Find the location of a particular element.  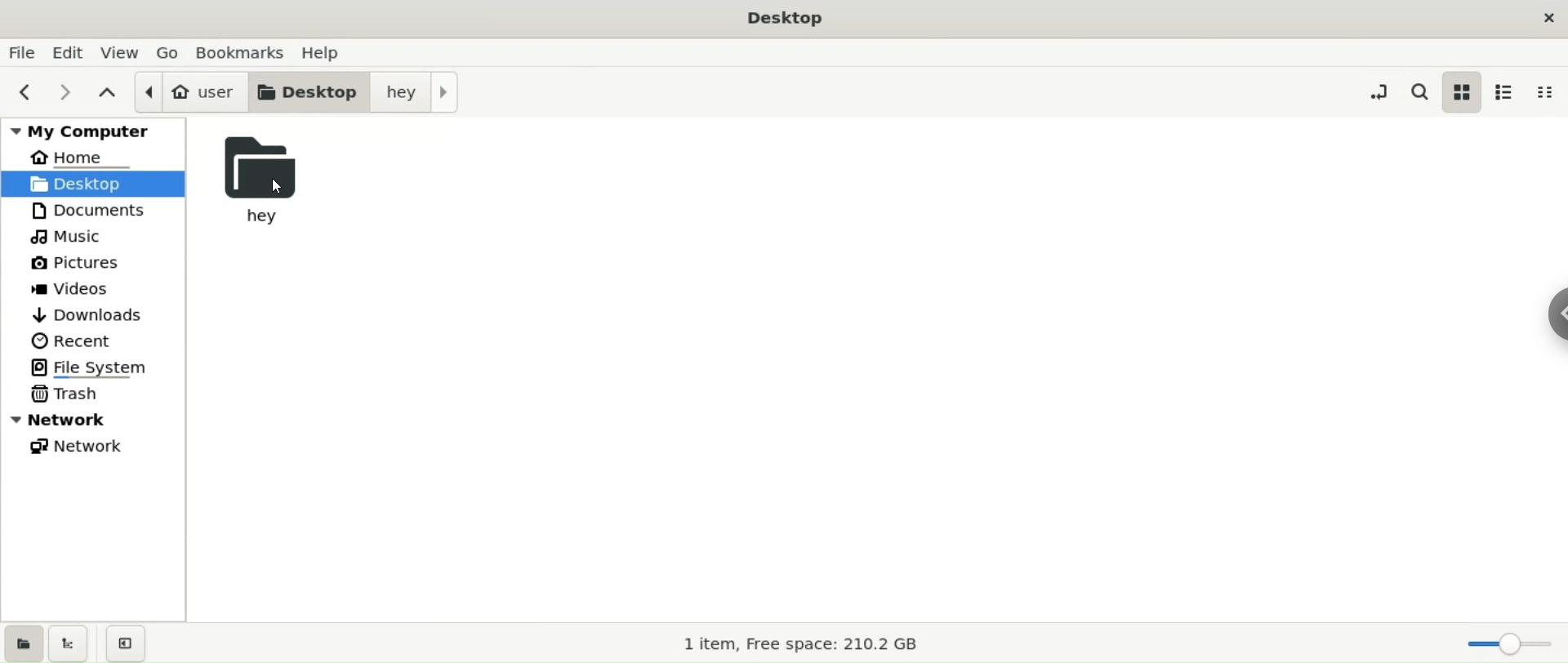

chrome options is located at coordinates (1554, 314).